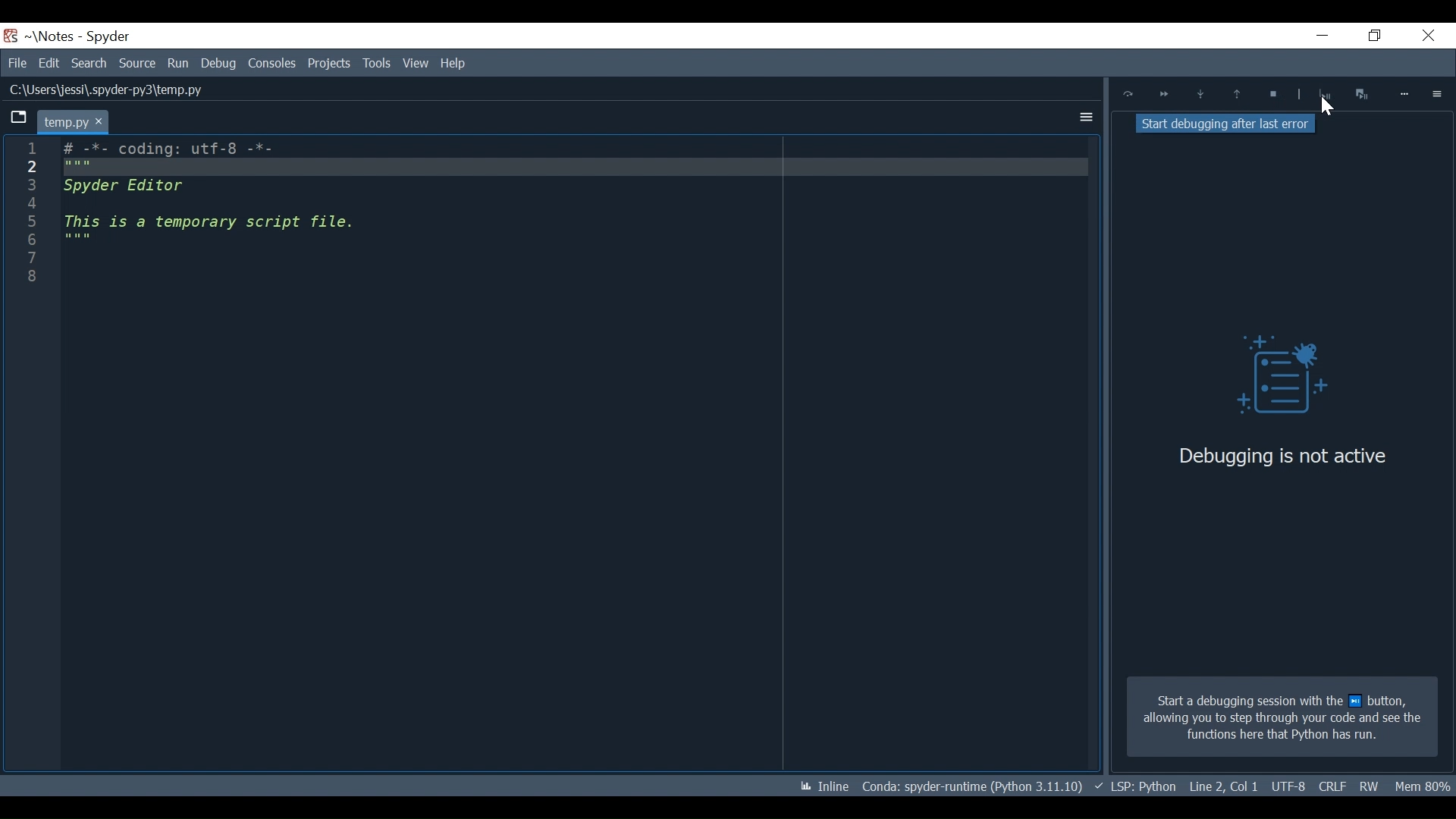  Describe the element at coordinates (179, 63) in the screenshot. I see `Run` at that location.